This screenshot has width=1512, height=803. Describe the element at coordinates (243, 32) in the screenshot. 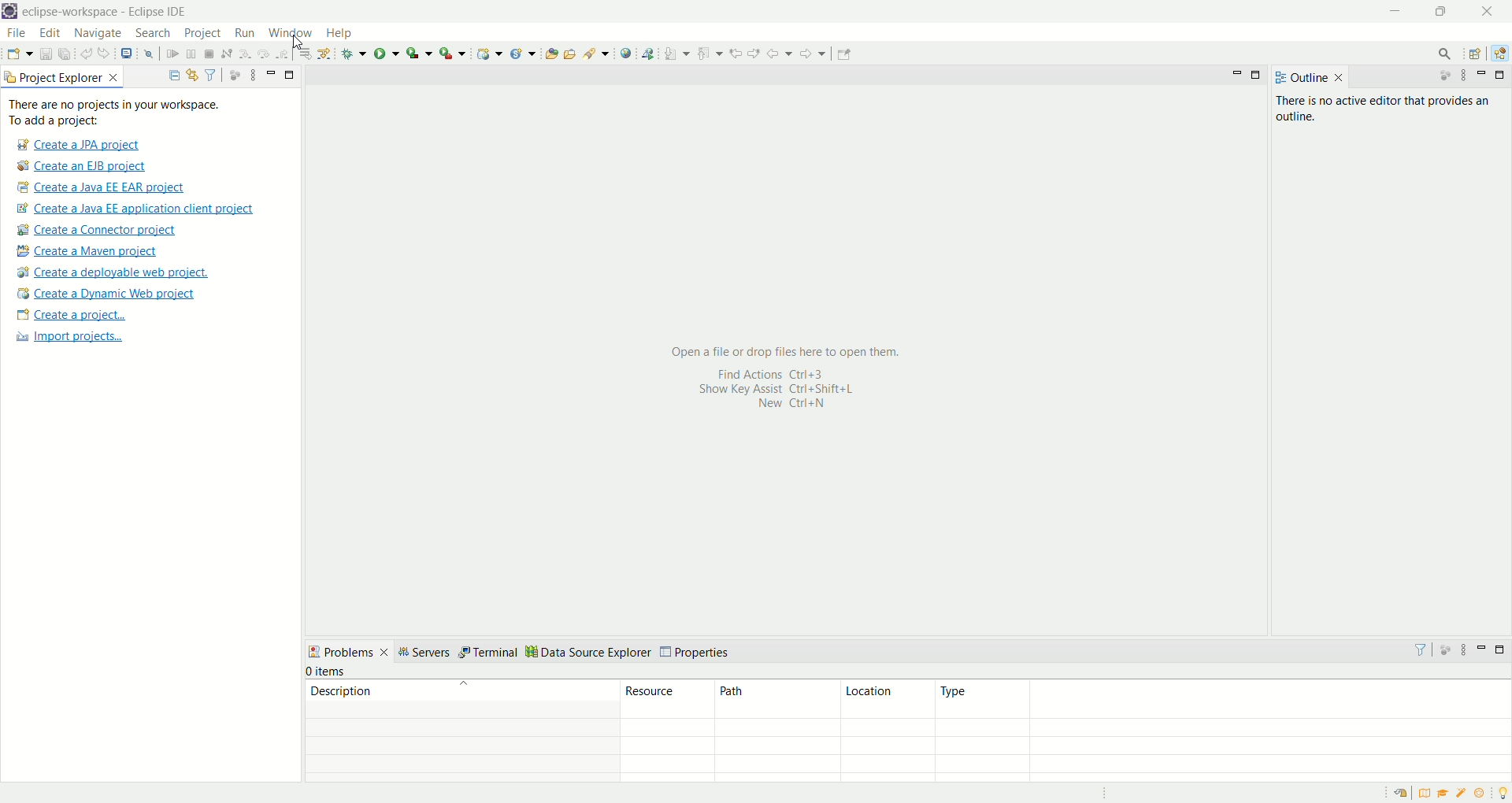

I see `run` at that location.